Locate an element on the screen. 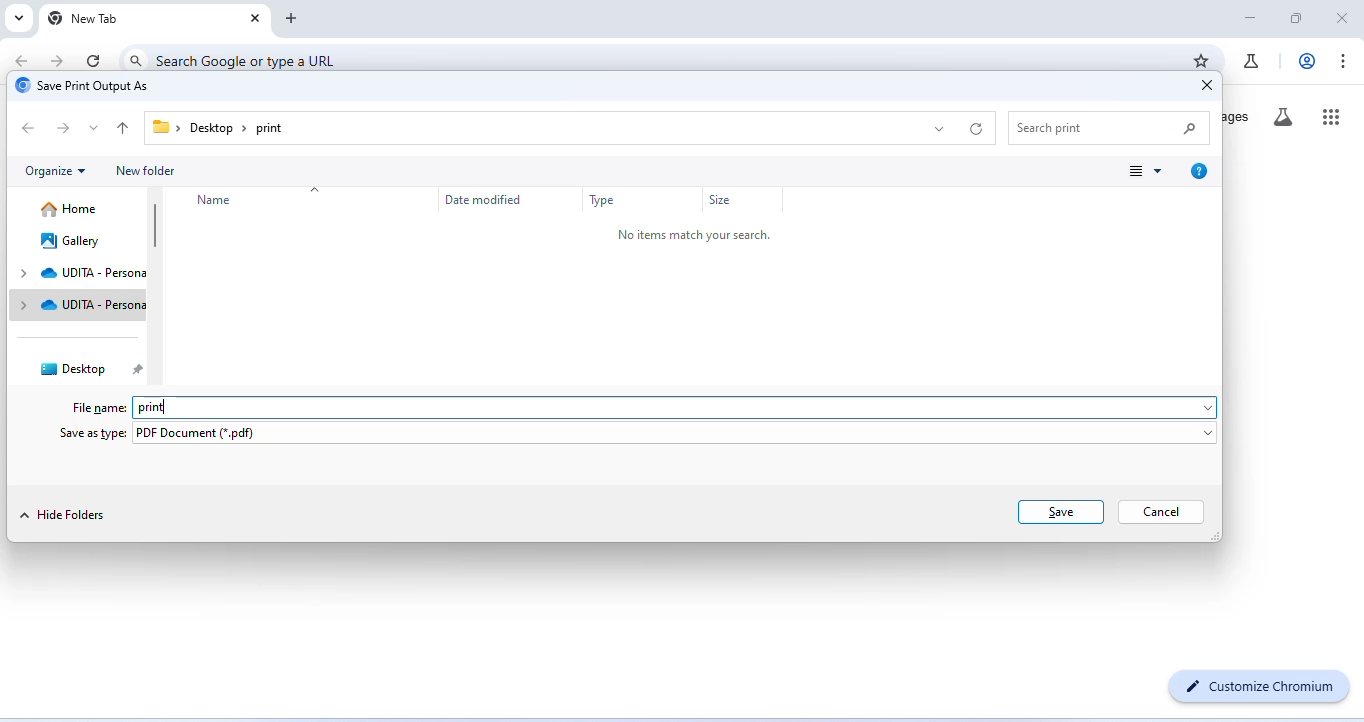 Image resolution: width=1364 pixels, height=722 pixels. type is located at coordinates (604, 201).